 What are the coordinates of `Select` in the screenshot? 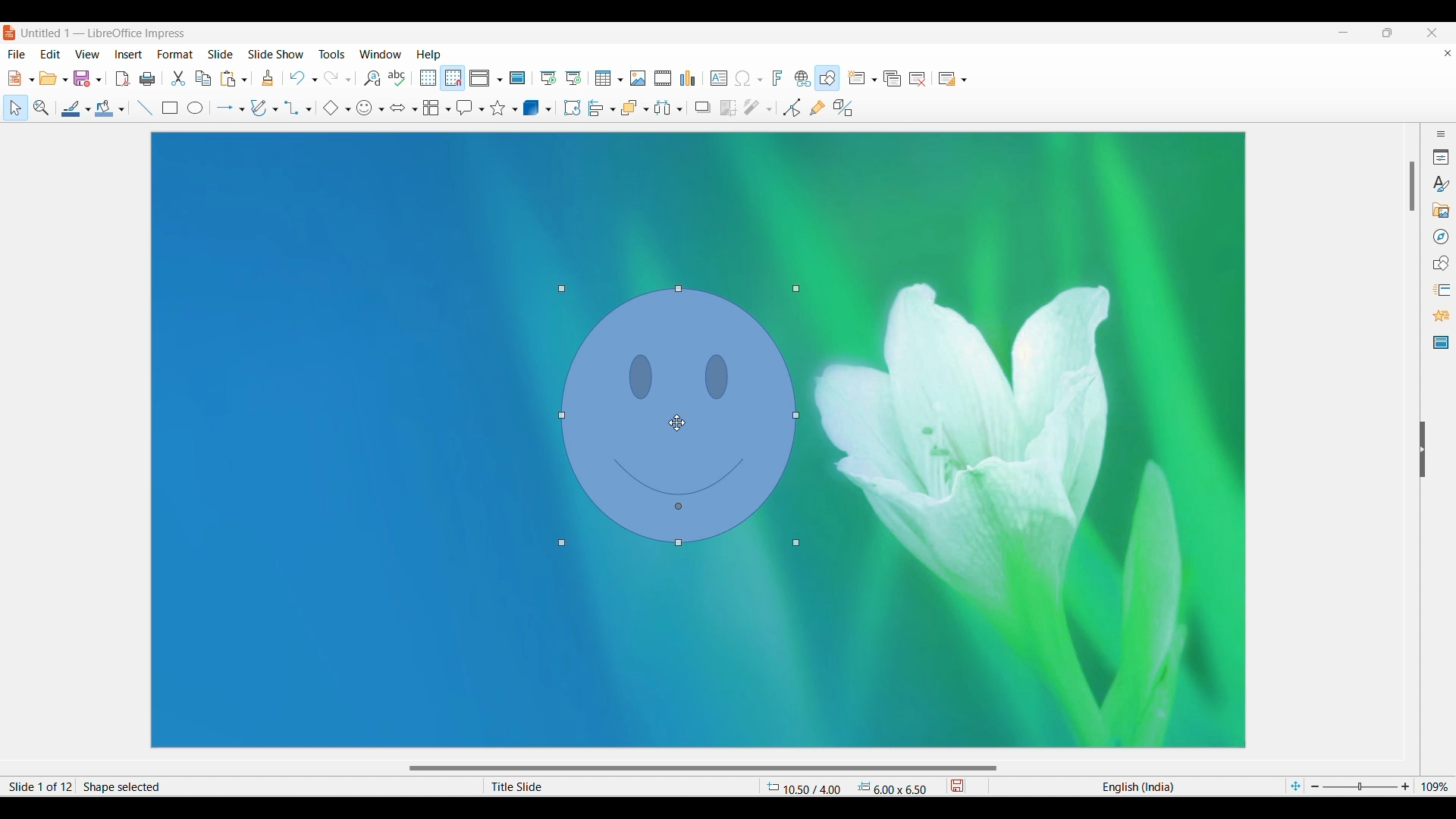 It's located at (16, 108).